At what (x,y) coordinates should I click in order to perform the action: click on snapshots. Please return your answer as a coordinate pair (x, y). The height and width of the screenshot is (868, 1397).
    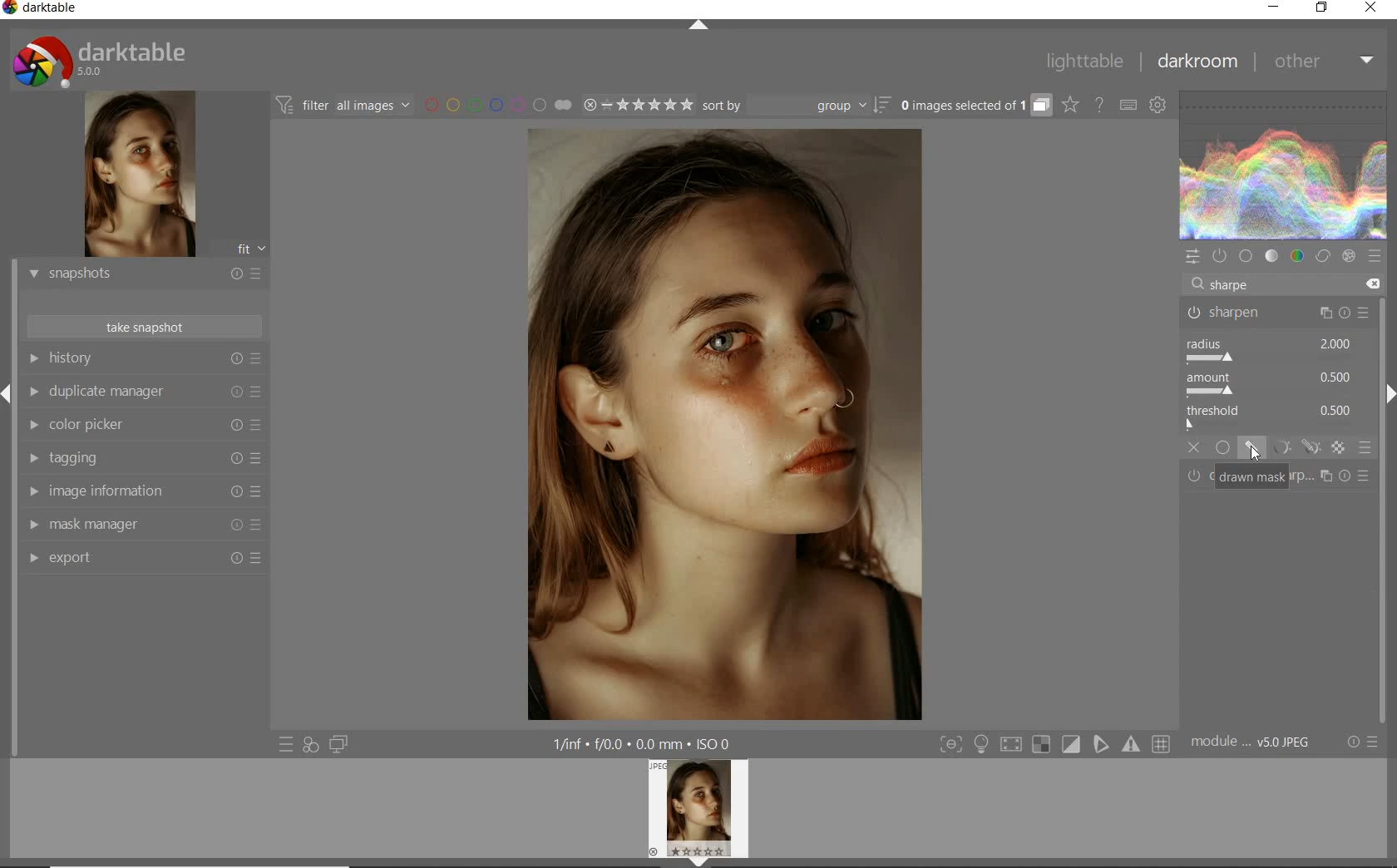
    Looking at the image, I should click on (144, 275).